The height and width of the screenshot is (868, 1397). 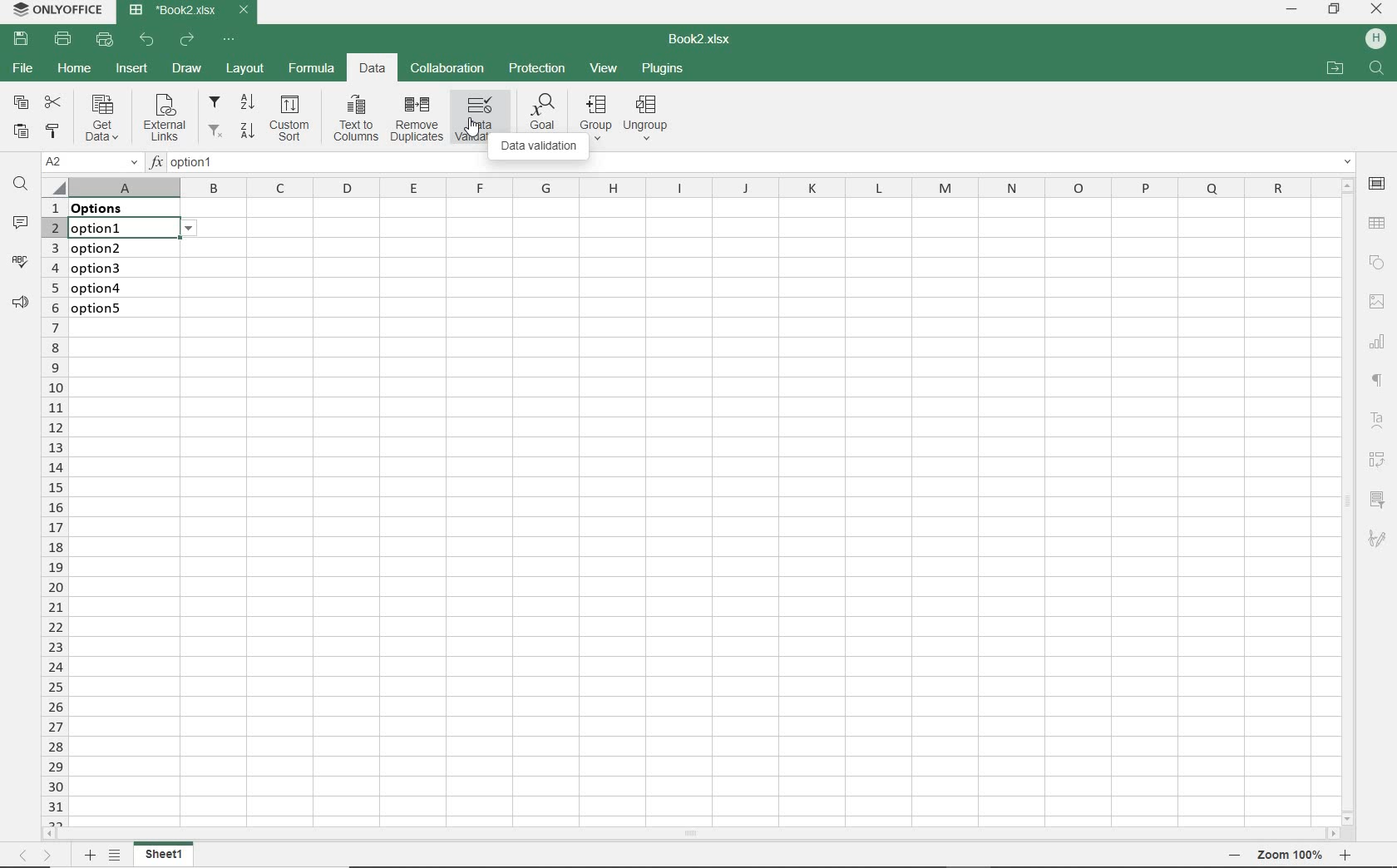 I want to click on selected cell, so click(x=124, y=230).